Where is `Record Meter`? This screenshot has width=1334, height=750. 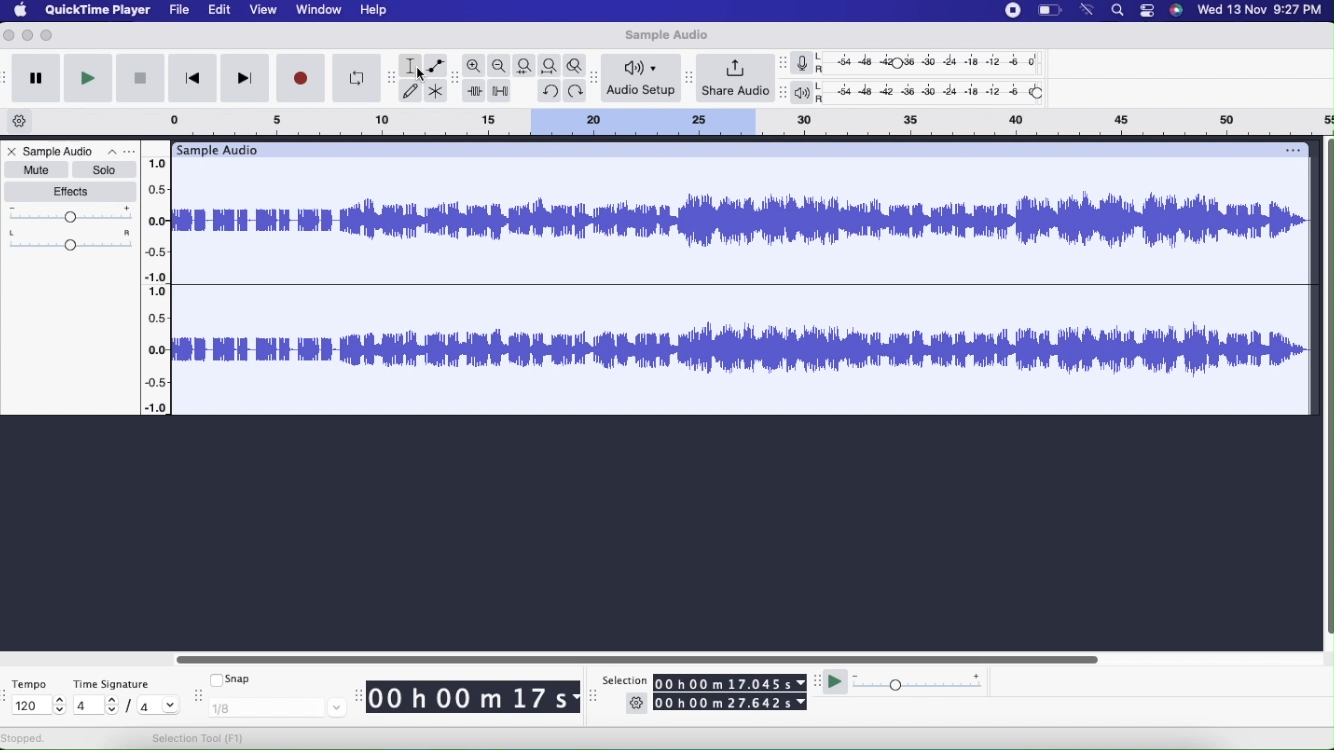
Record Meter is located at coordinates (808, 63).